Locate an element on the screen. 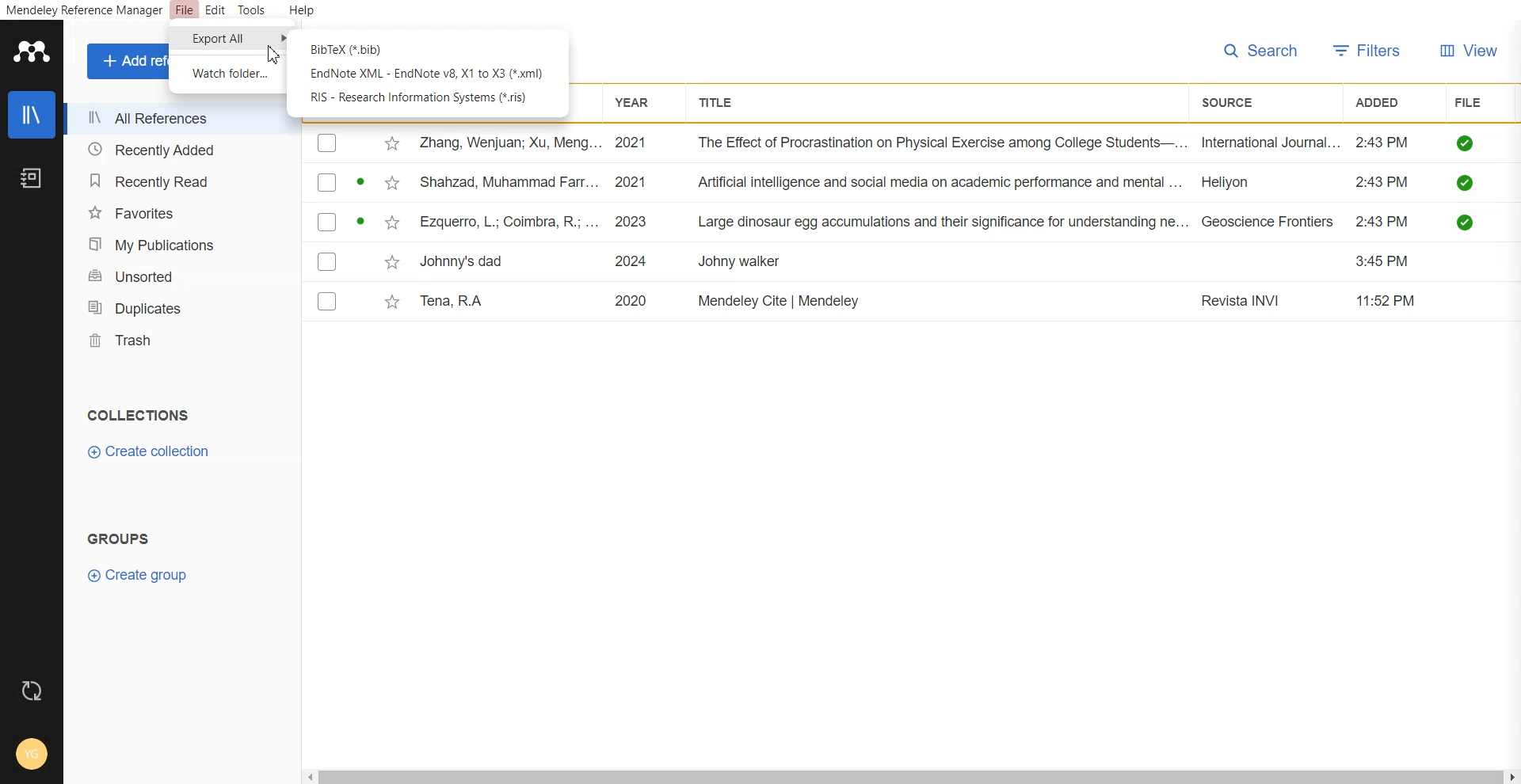  2:43PM is located at coordinates (1383, 143).